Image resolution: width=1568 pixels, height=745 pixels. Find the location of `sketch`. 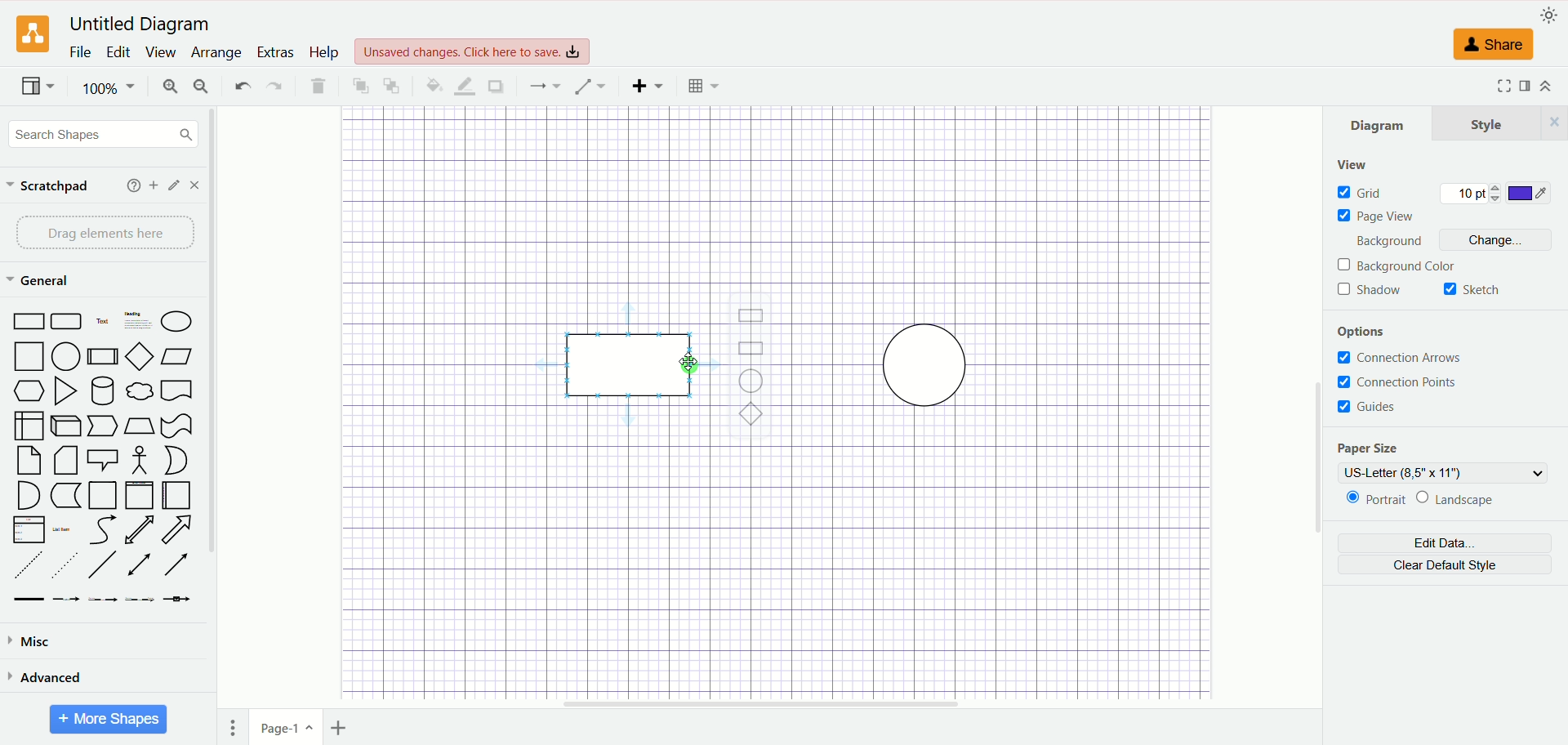

sketch is located at coordinates (1472, 289).